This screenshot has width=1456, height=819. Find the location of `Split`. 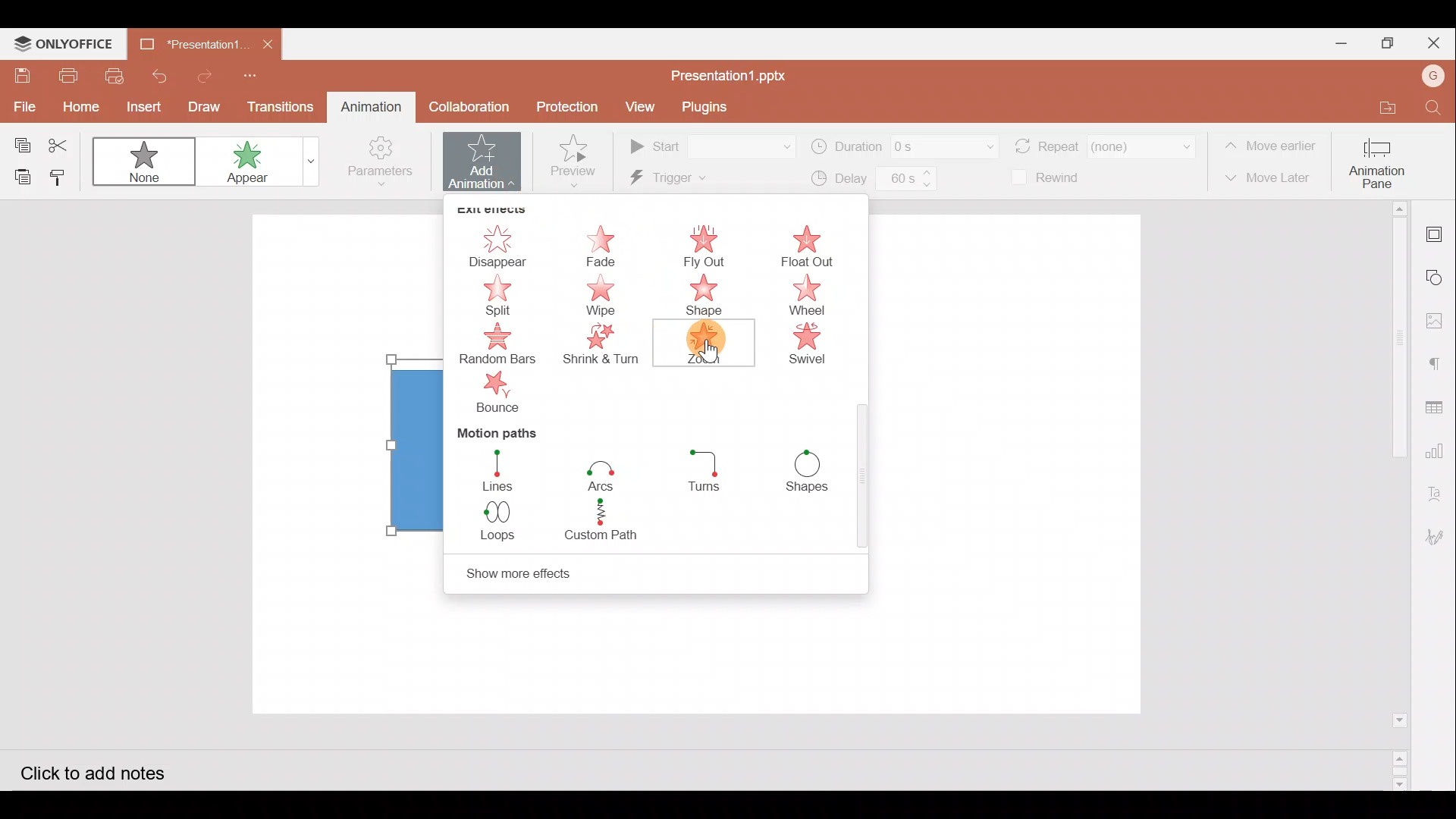

Split is located at coordinates (496, 296).